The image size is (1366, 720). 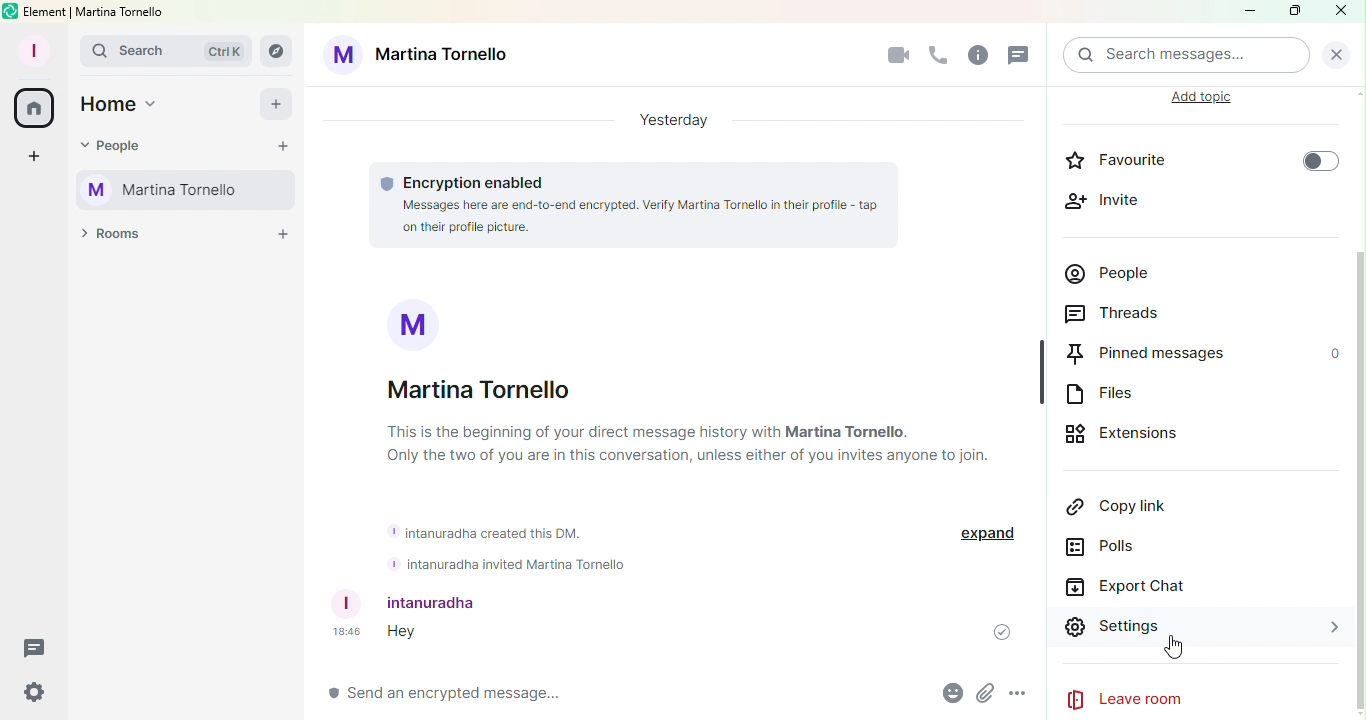 I want to click on Files, so click(x=1177, y=395).